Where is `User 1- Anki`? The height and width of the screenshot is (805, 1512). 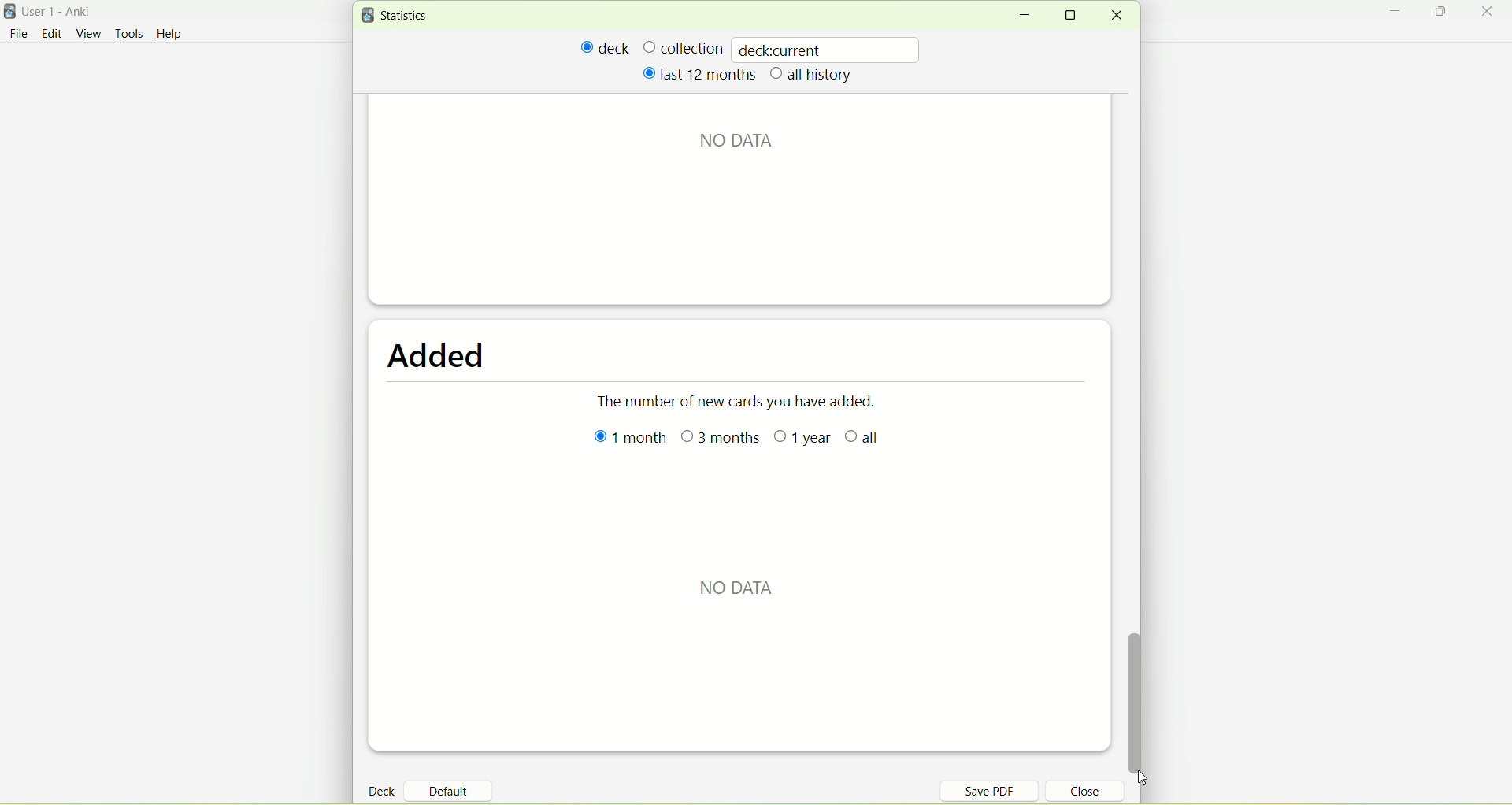 User 1- Anki is located at coordinates (67, 14).